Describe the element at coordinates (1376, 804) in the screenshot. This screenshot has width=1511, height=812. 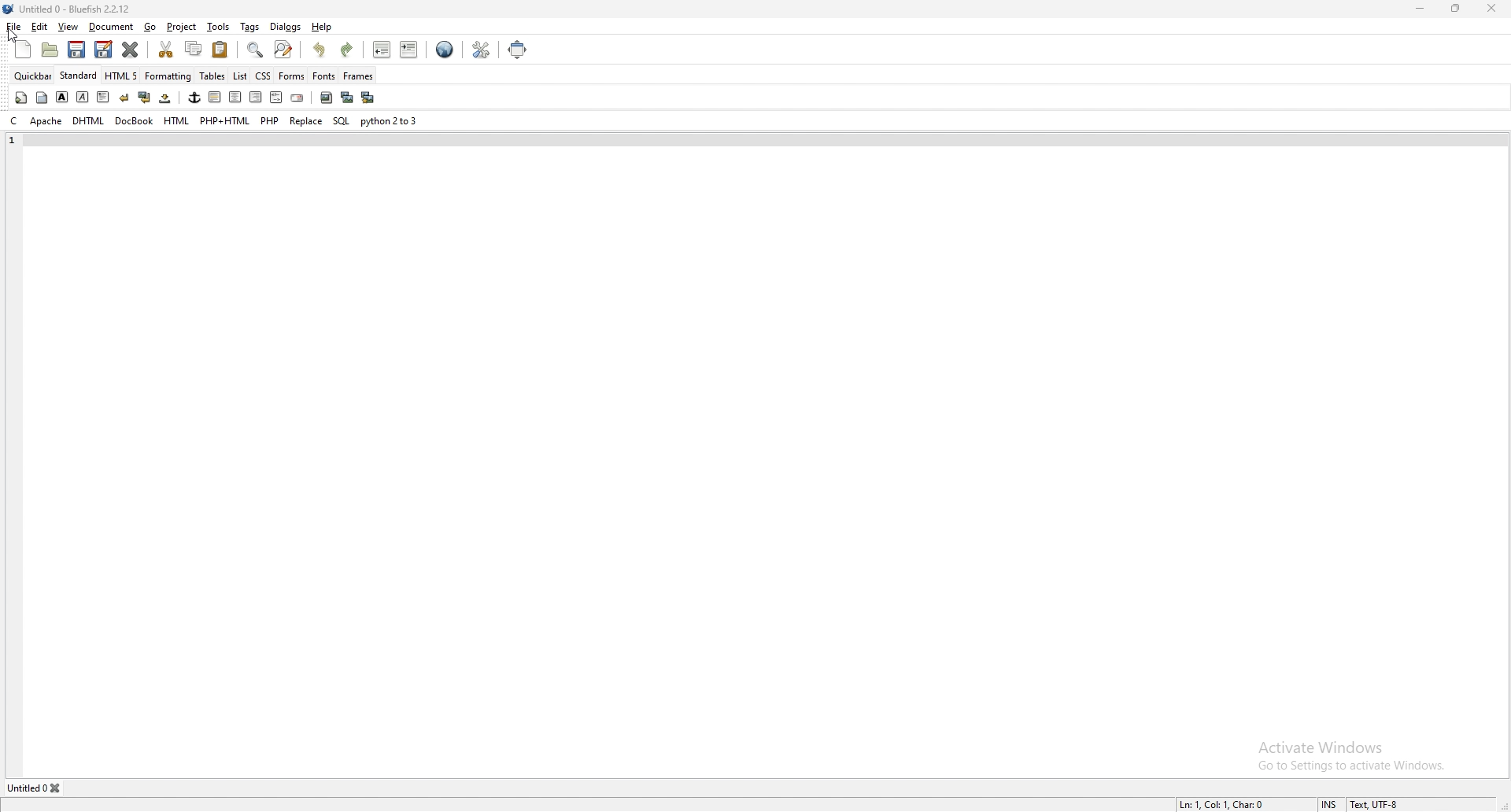
I see `Text, UTF-8` at that location.